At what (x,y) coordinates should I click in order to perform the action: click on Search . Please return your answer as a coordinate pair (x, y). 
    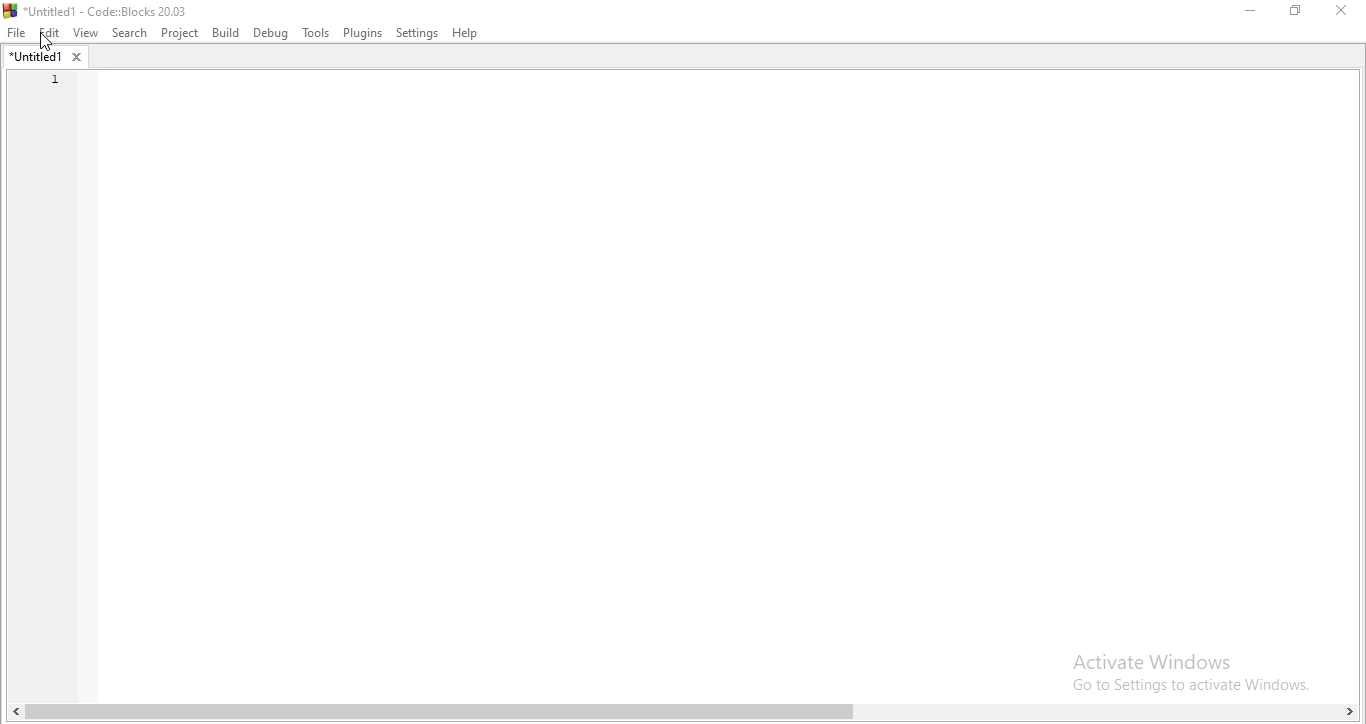
    Looking at the image, I should click on (129, 34).